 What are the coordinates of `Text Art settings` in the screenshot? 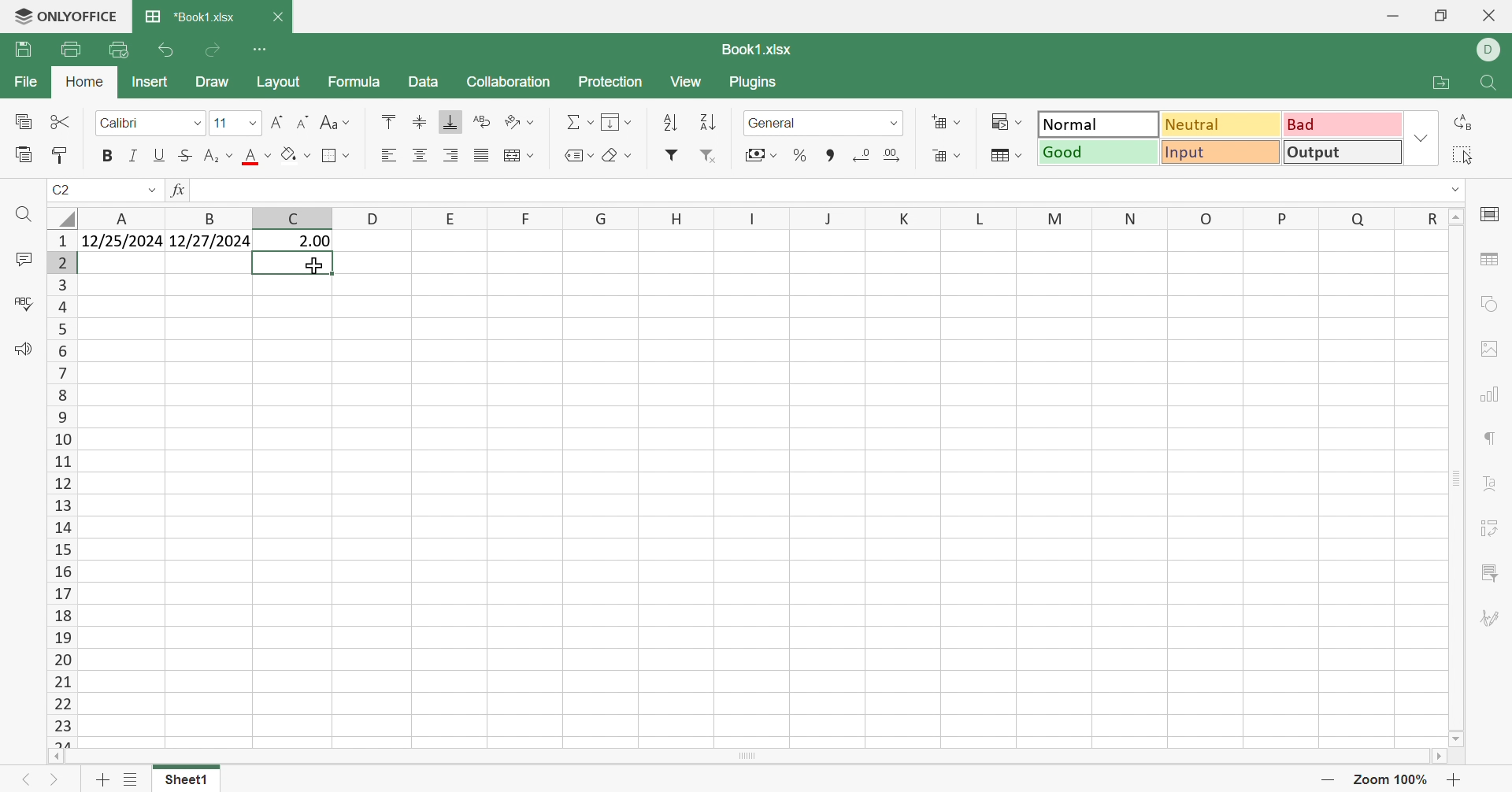 It's located at (1485, 485).